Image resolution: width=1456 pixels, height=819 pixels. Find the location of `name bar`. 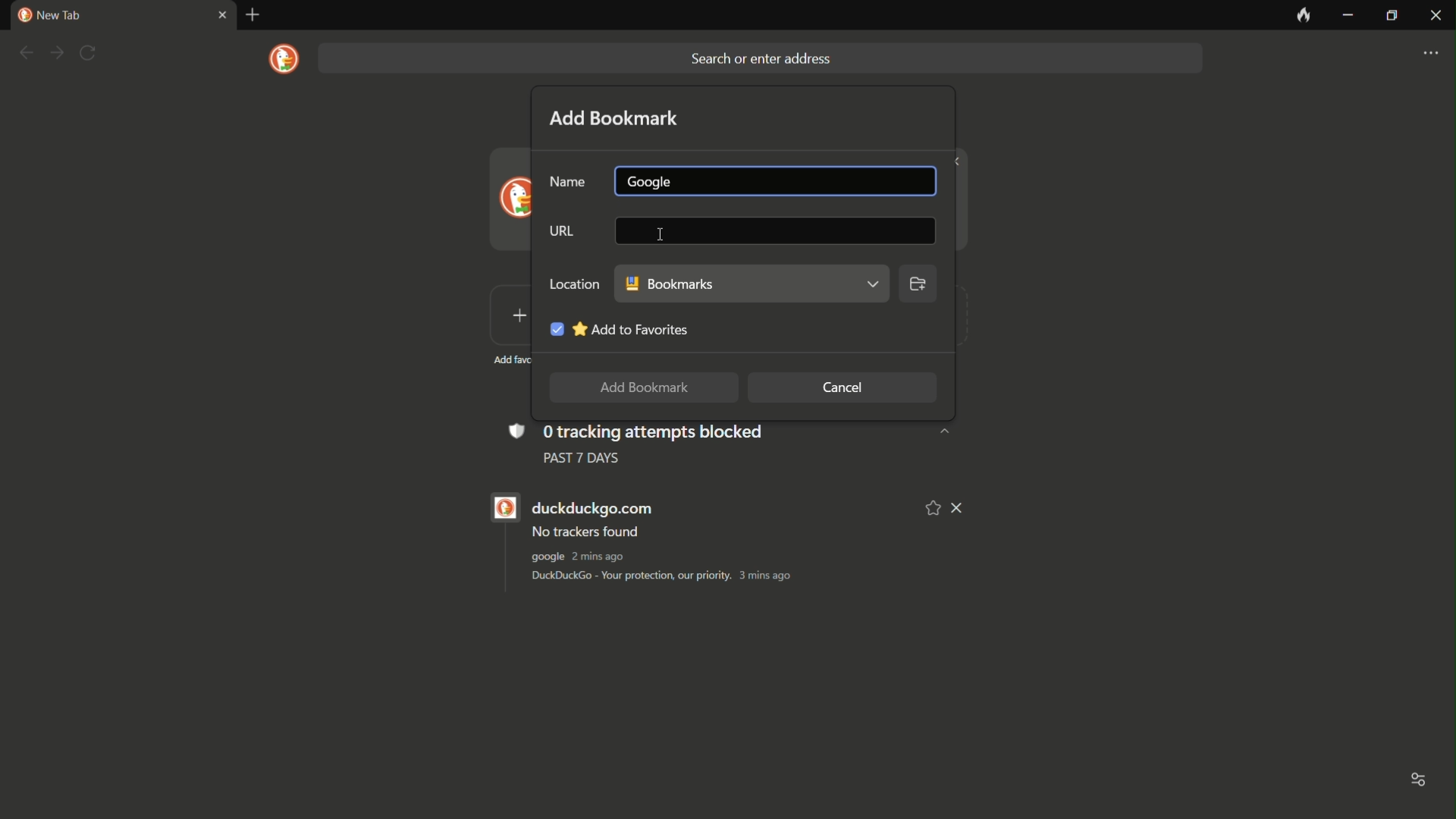

name bar is located at coordinates (773, 179).